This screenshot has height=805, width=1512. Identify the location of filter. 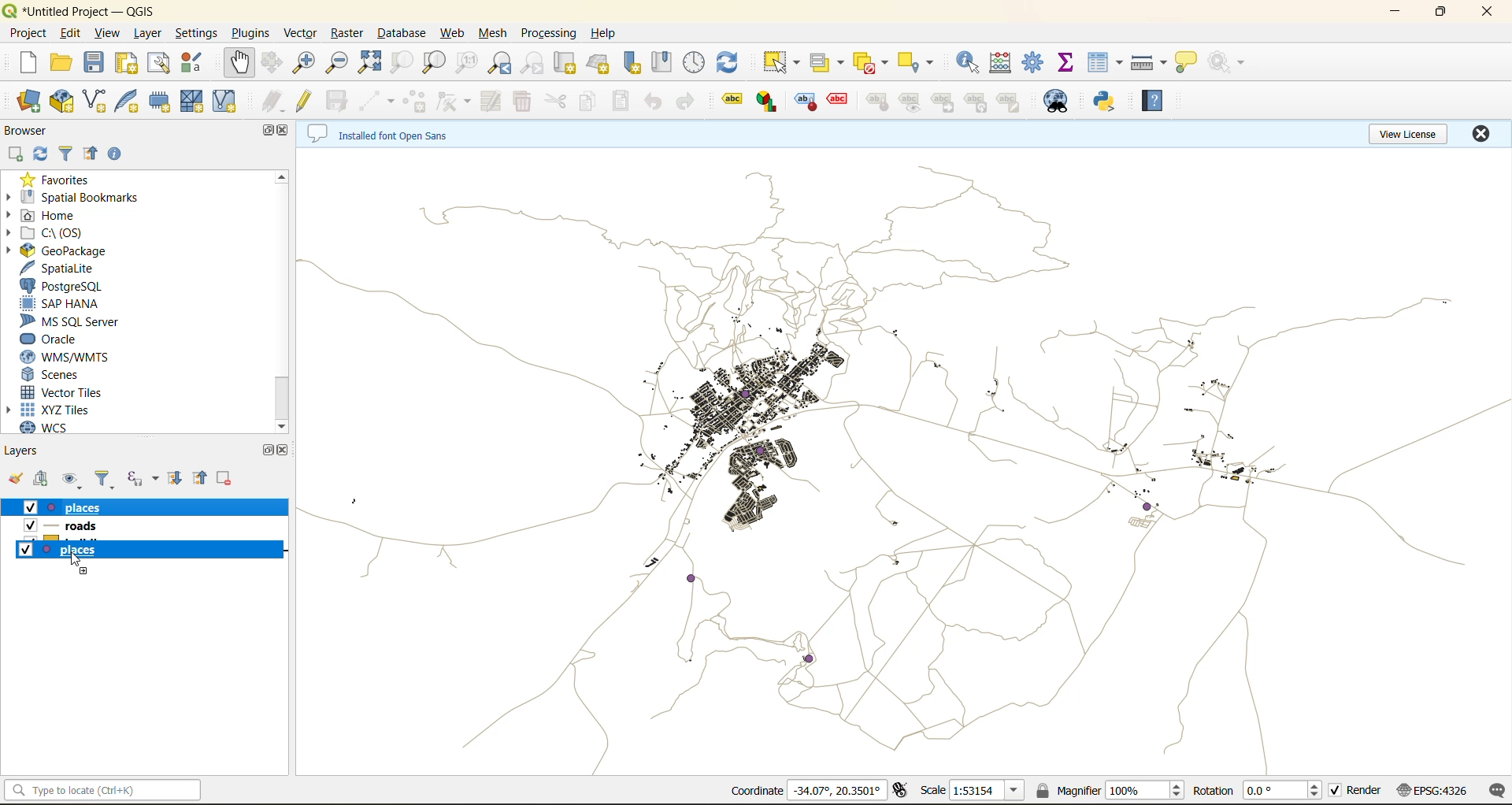
(61, 155).